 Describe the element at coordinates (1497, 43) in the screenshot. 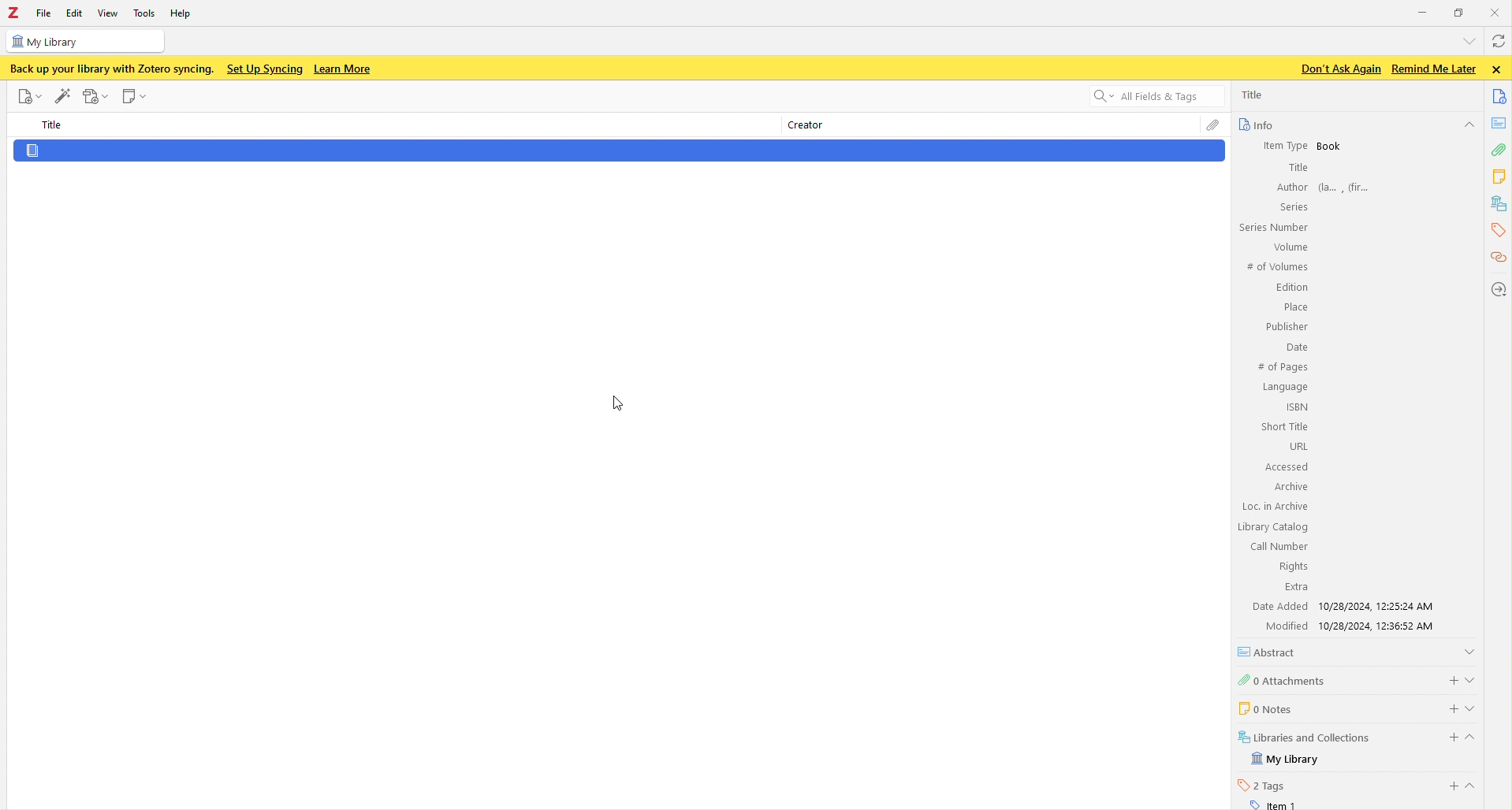

I see `refresh ` at that location.